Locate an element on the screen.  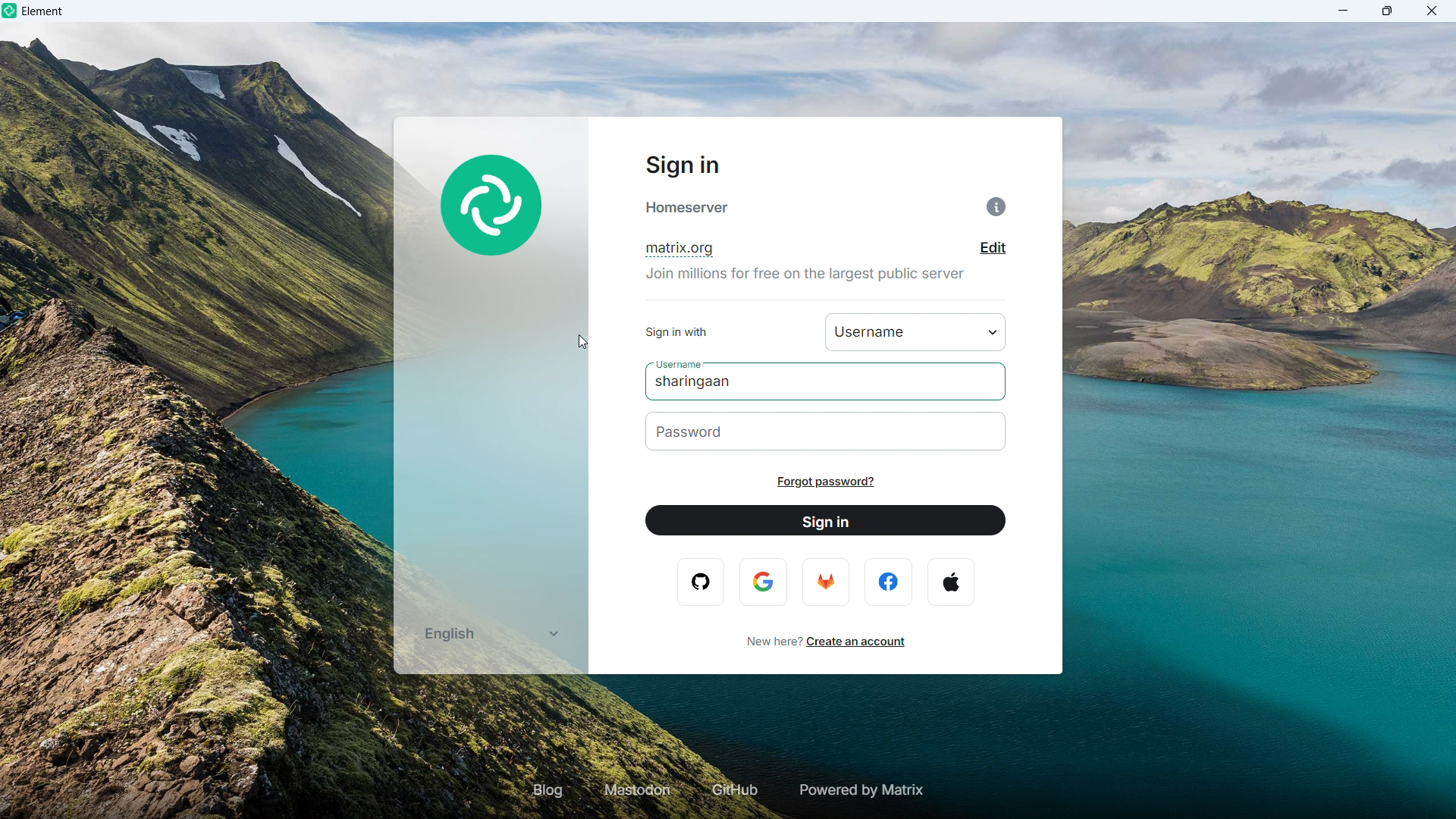
minimize is located at coordinates (1344, 11).